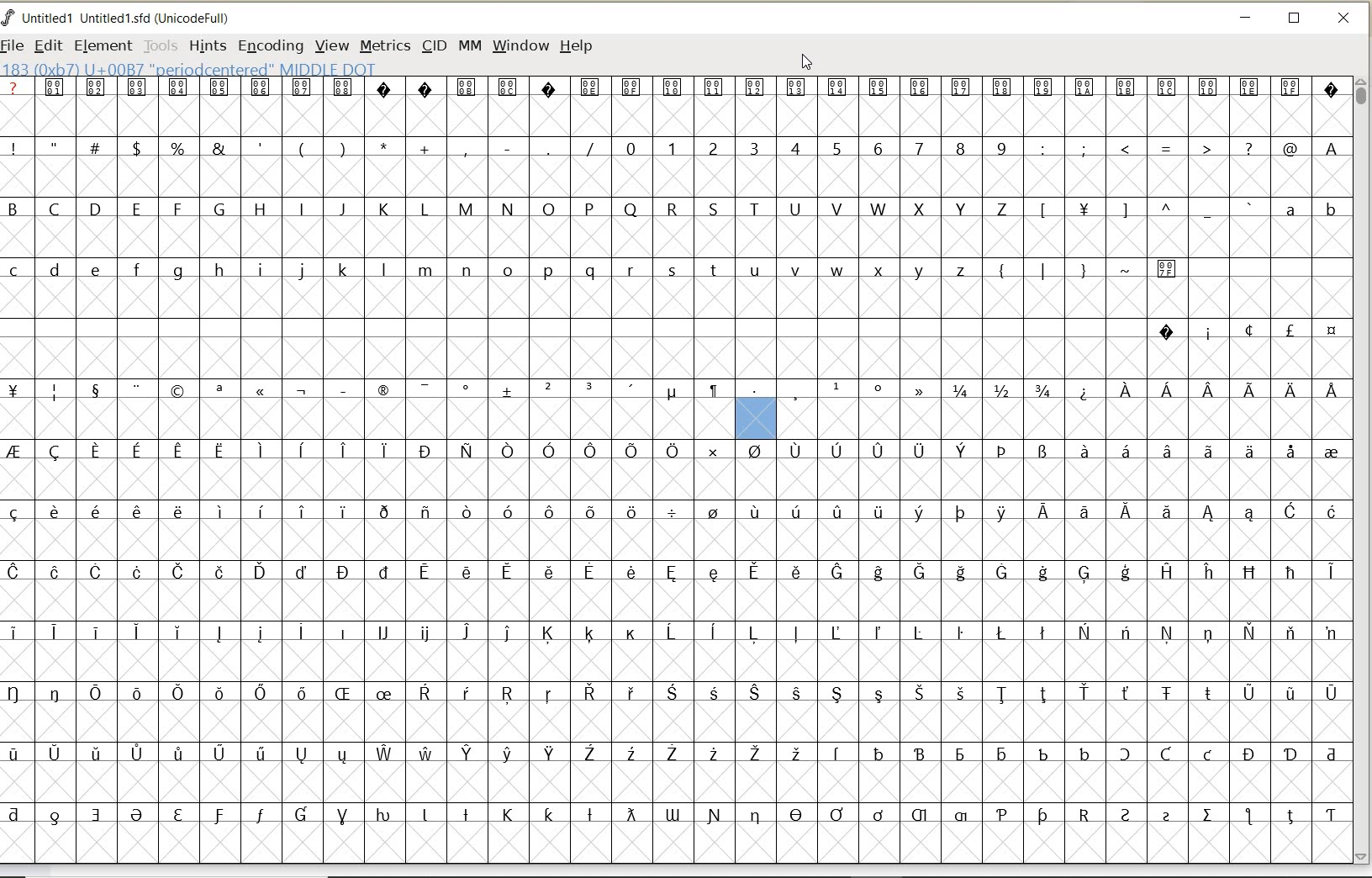 The height and width of the screenshot is (878, 1372). What do you see at coordinates (434, 48) in the screenshot?
I see `CID` at bounding box center [434, 48].